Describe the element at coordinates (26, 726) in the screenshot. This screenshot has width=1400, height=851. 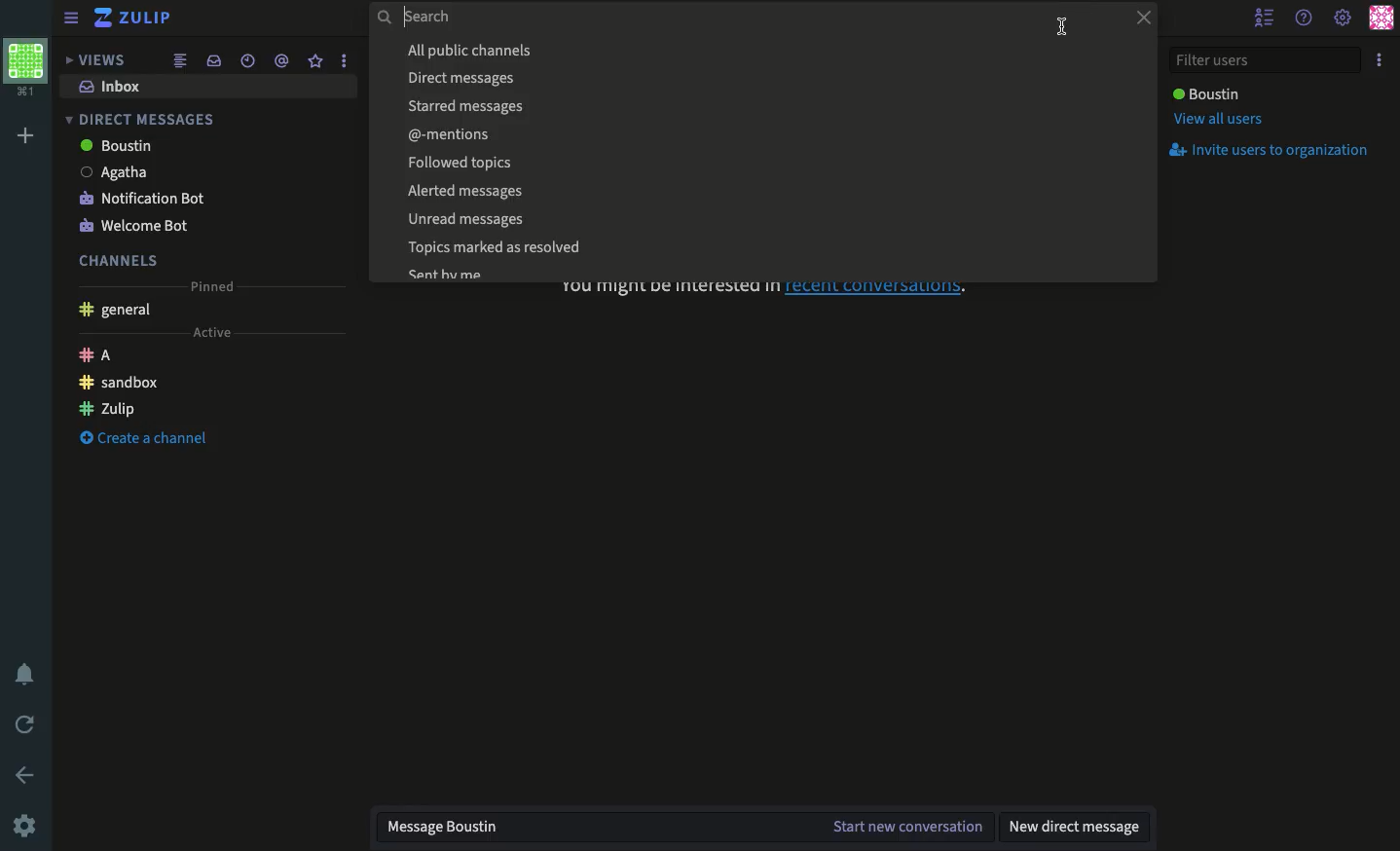
I see `Refresh` at that location.